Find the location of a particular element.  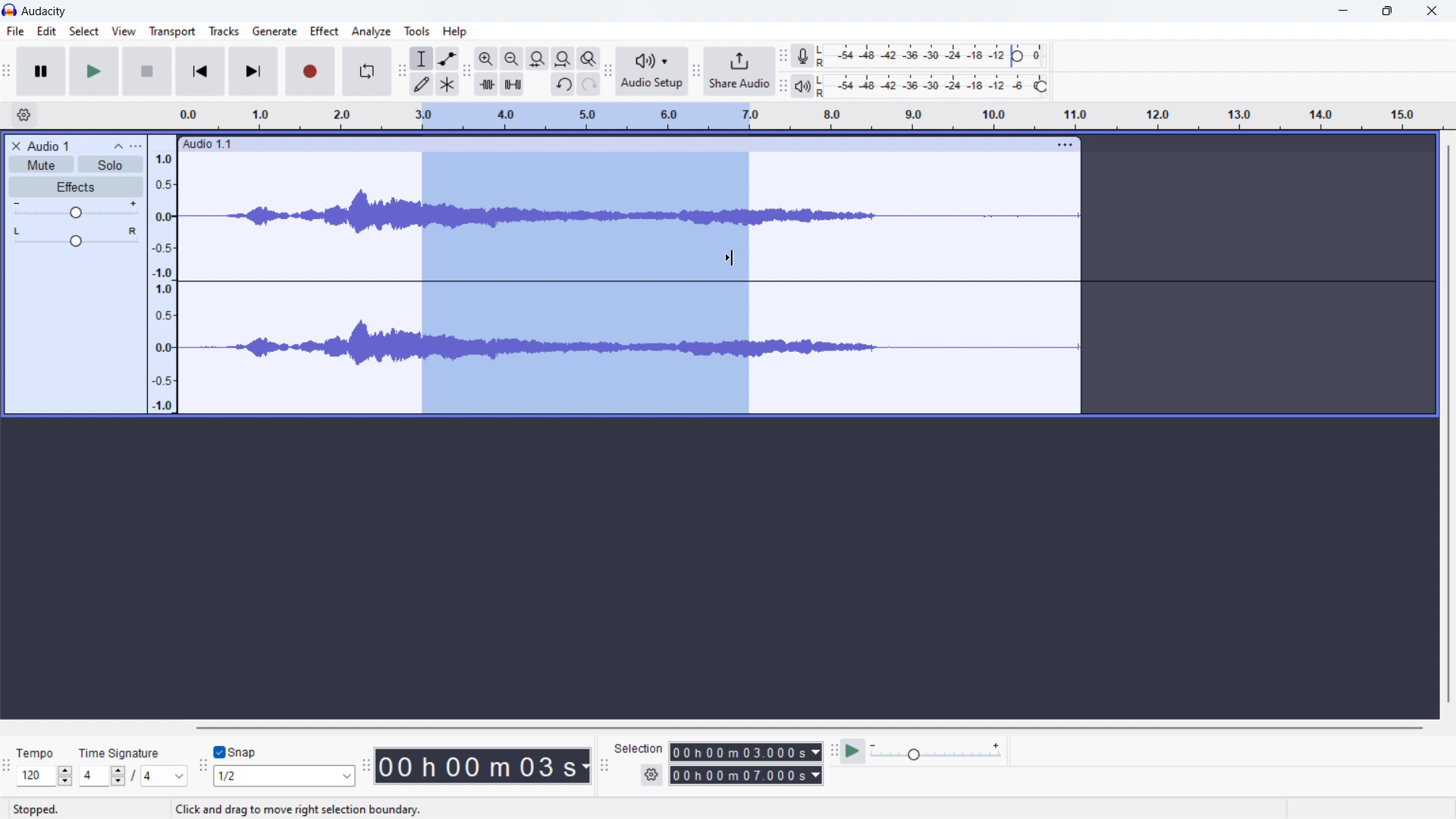

4 is located at coordinates (100, 777).